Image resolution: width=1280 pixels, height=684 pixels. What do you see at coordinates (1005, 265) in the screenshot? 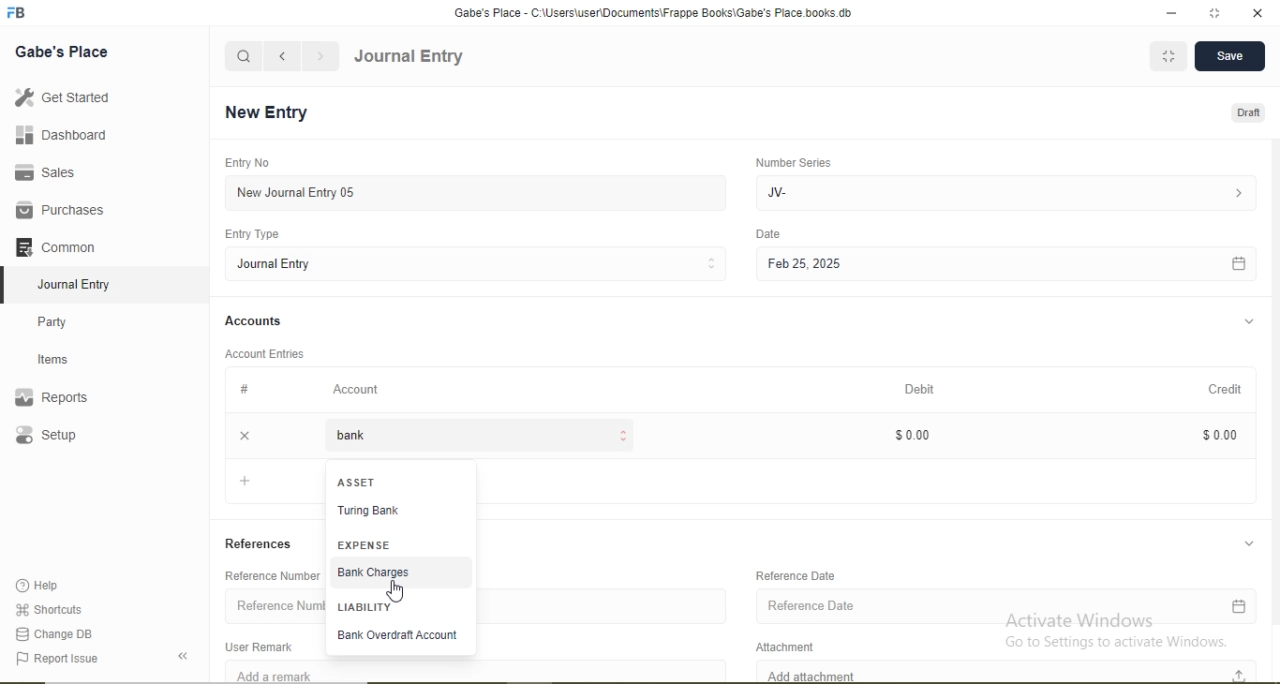
I see `Feb 25, 2025` at bounding box center [1005, 265].